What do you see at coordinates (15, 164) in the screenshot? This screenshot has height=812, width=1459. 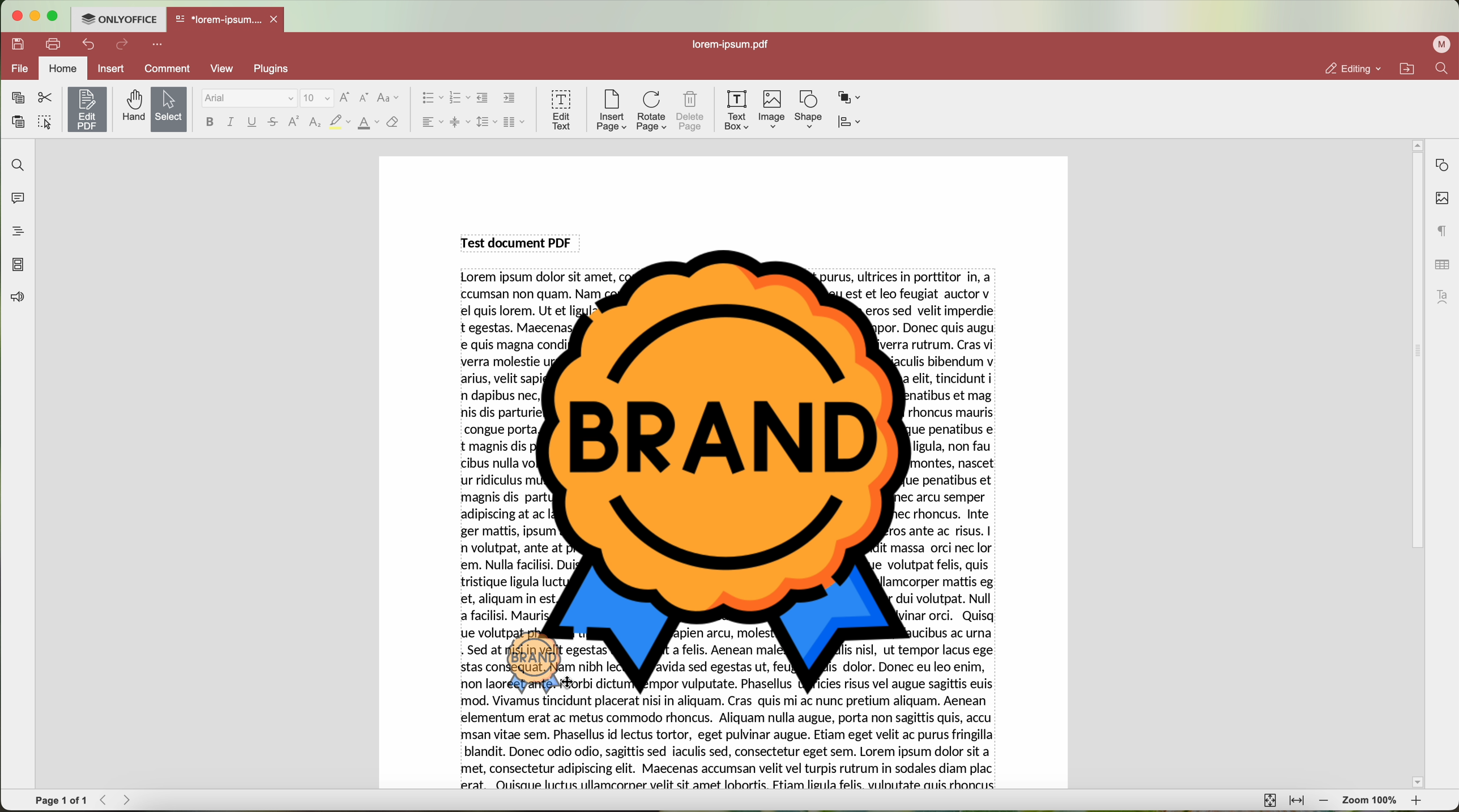 I see `find` at bounding box center [15, 164].